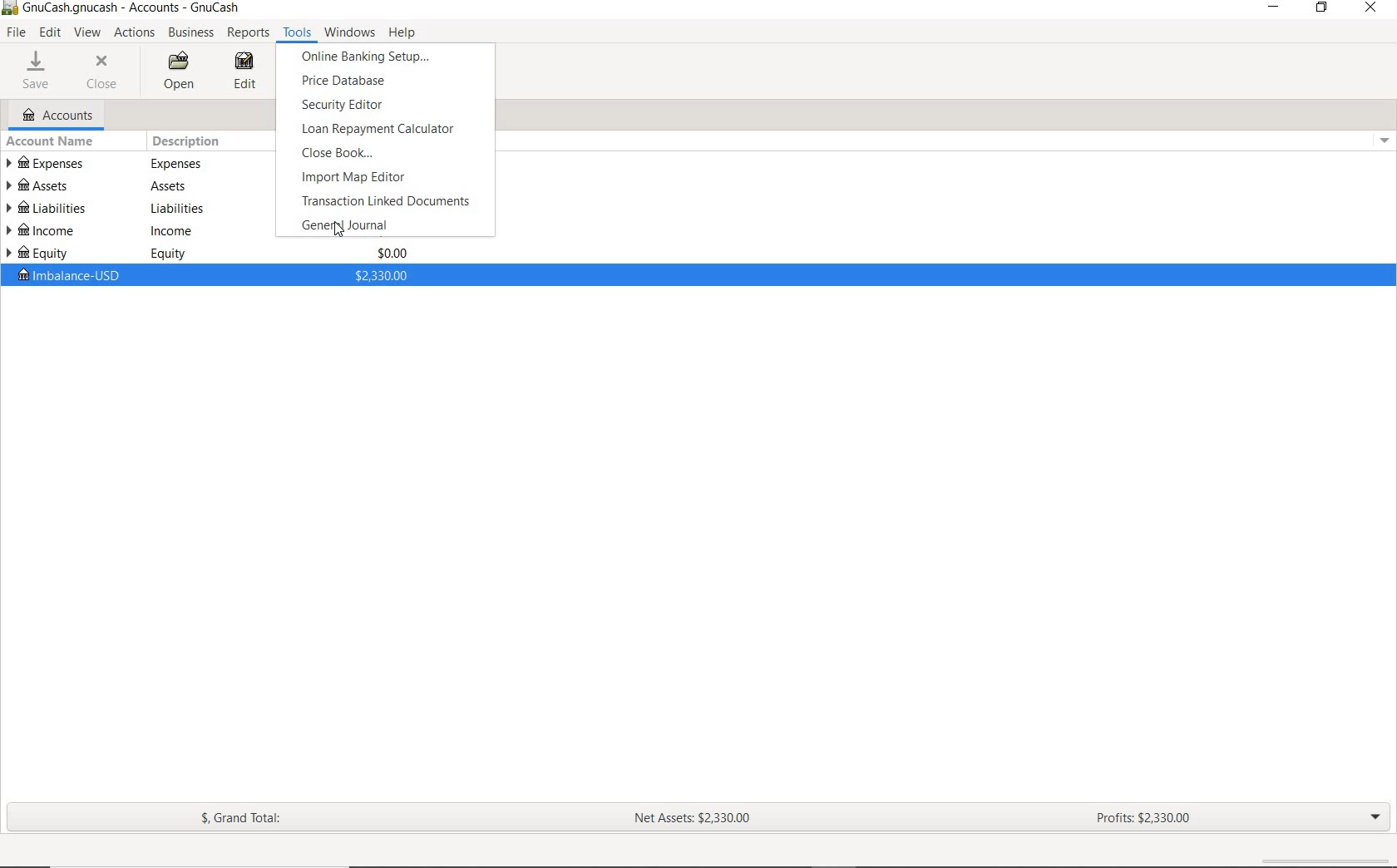 This screenshot has width=1397, height=868. What do you see at coordinates (295, 33) in the screenshot?
I see `TOOLS` at bounding box center [295, 33].